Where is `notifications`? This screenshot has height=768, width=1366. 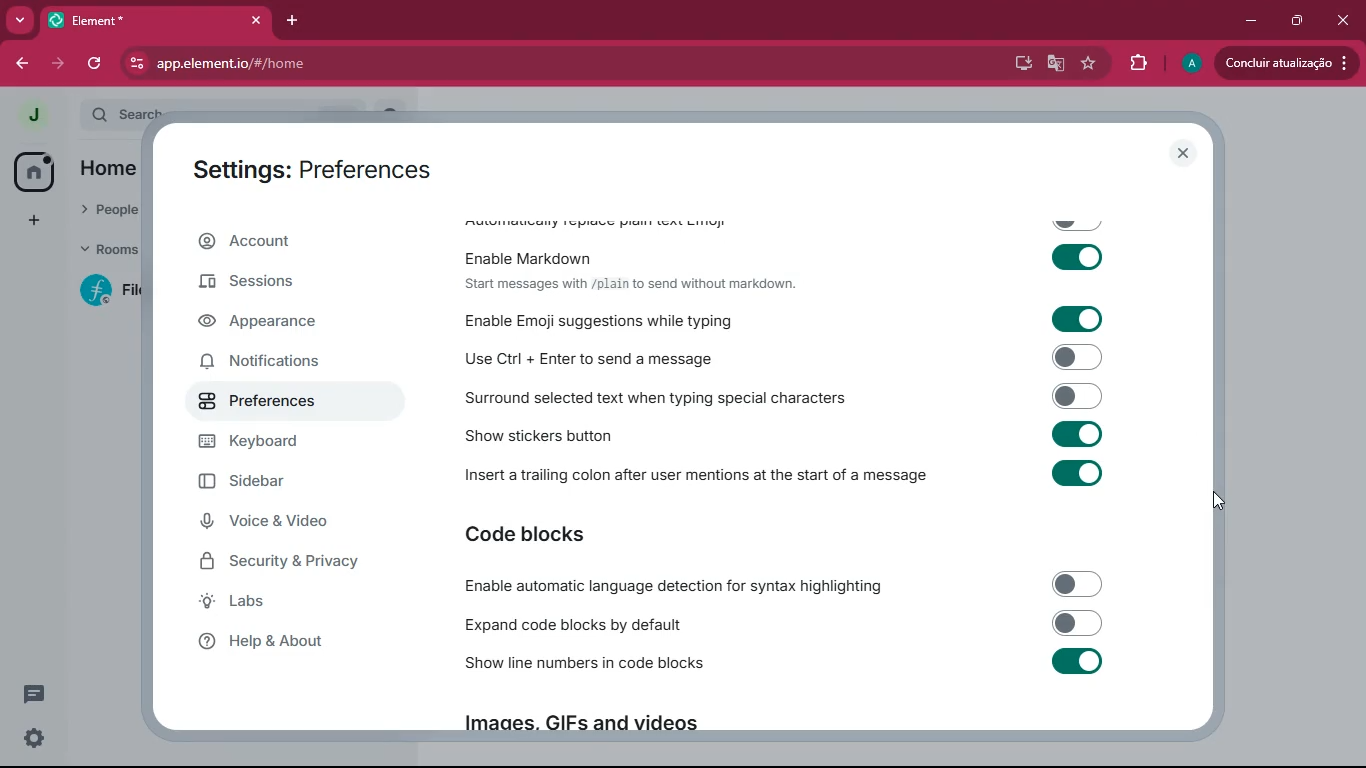
notifications is located at coordinates (285, 365).